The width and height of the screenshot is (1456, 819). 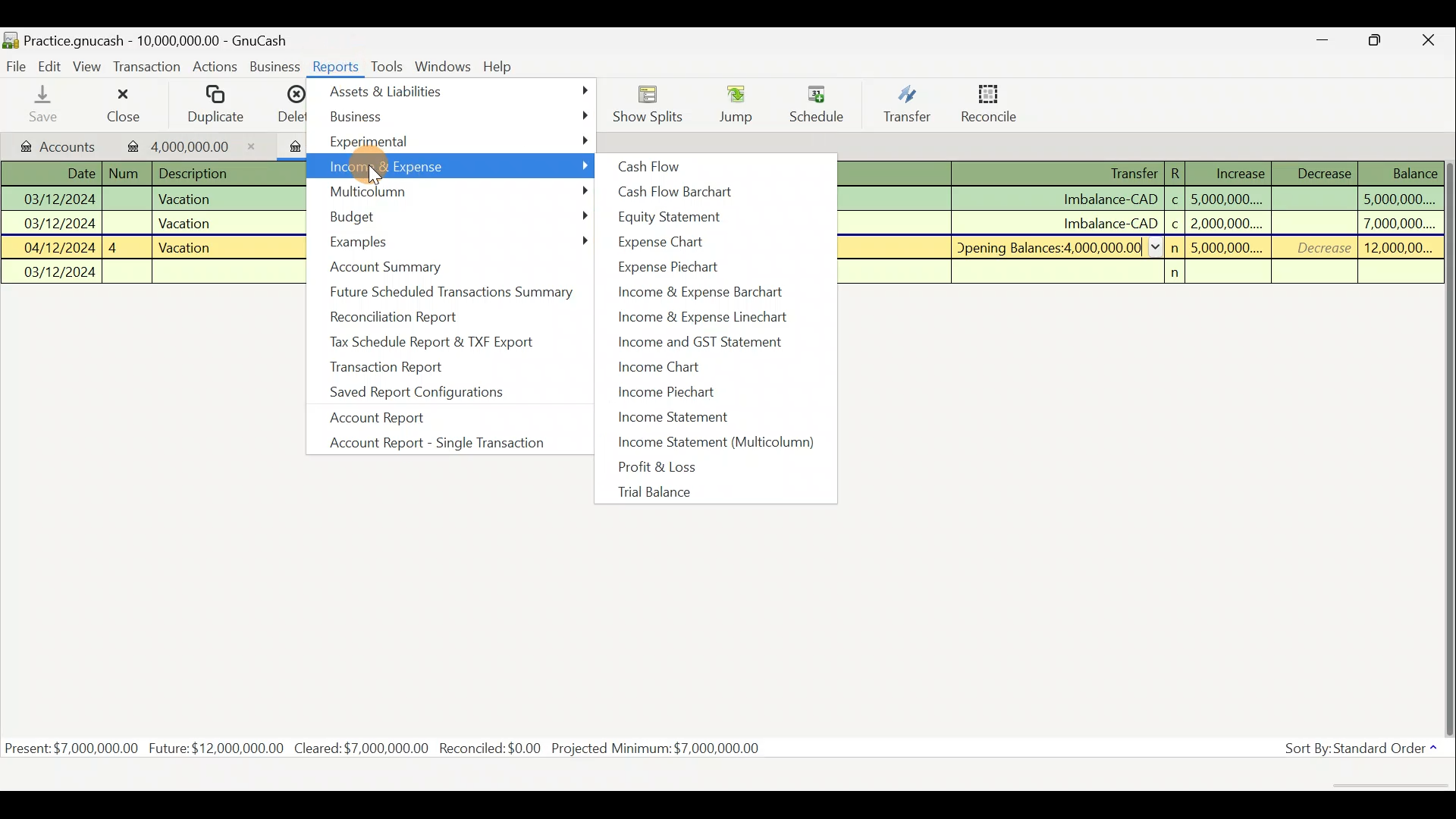 What do you see at coordinates (126, 174) in the screenshot?
I see `Num` at bounding box center [126, 174].